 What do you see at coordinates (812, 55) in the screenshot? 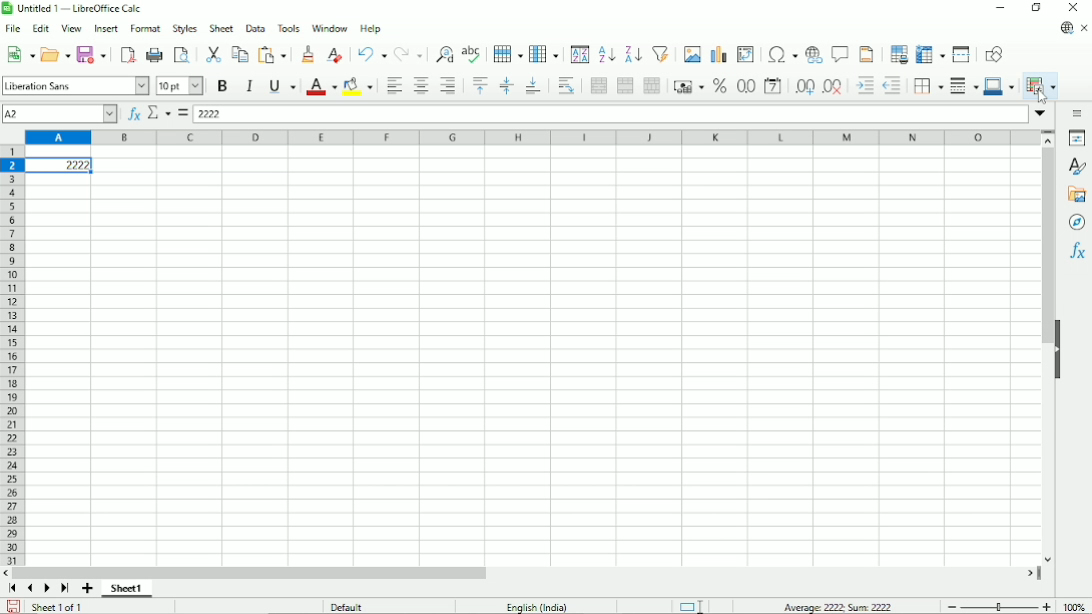
I see `Insert hyperlink` at bounding box center [812, 55].